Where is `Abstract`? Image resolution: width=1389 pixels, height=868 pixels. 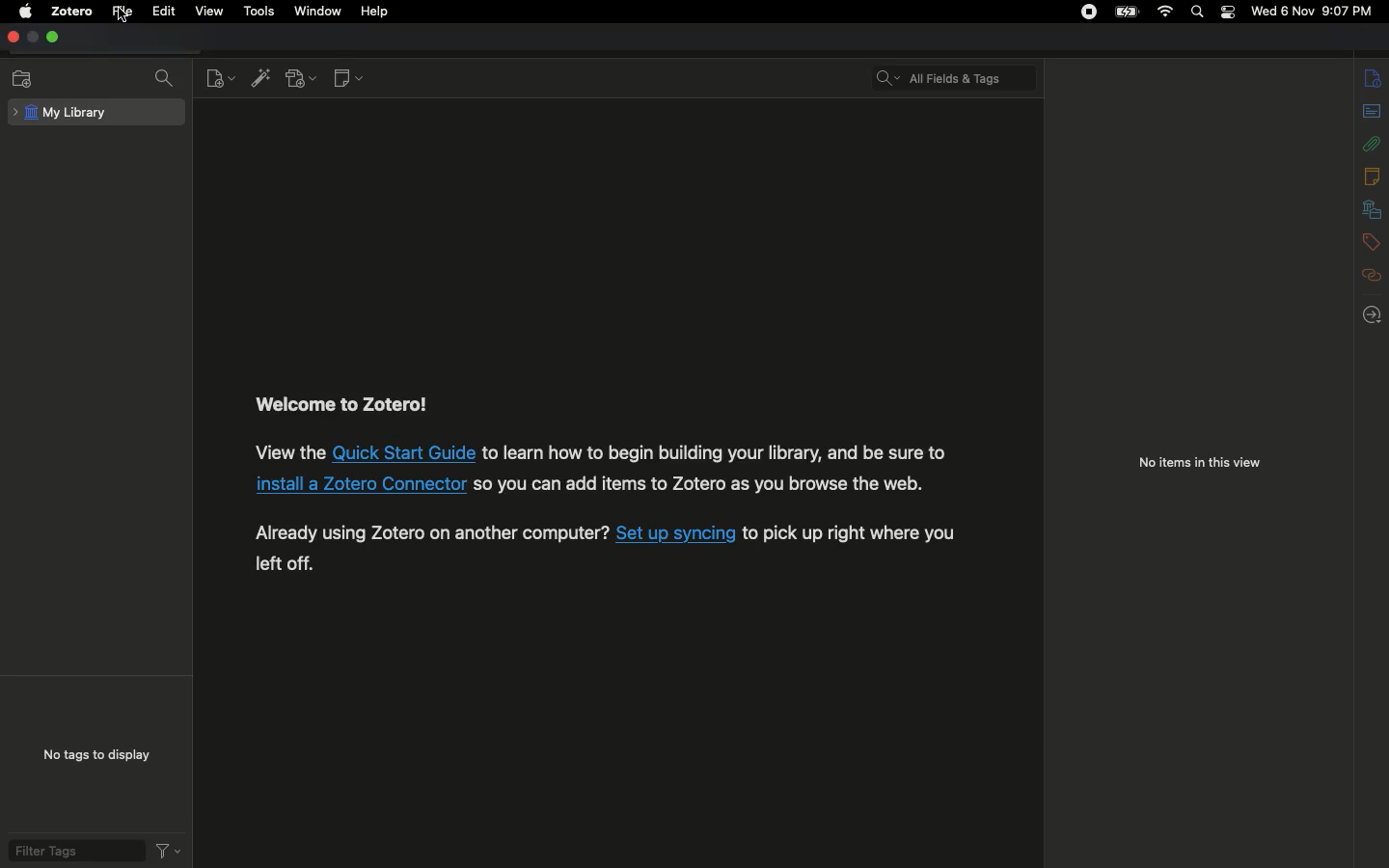 Abstract is located at coordinates (1371, 112).